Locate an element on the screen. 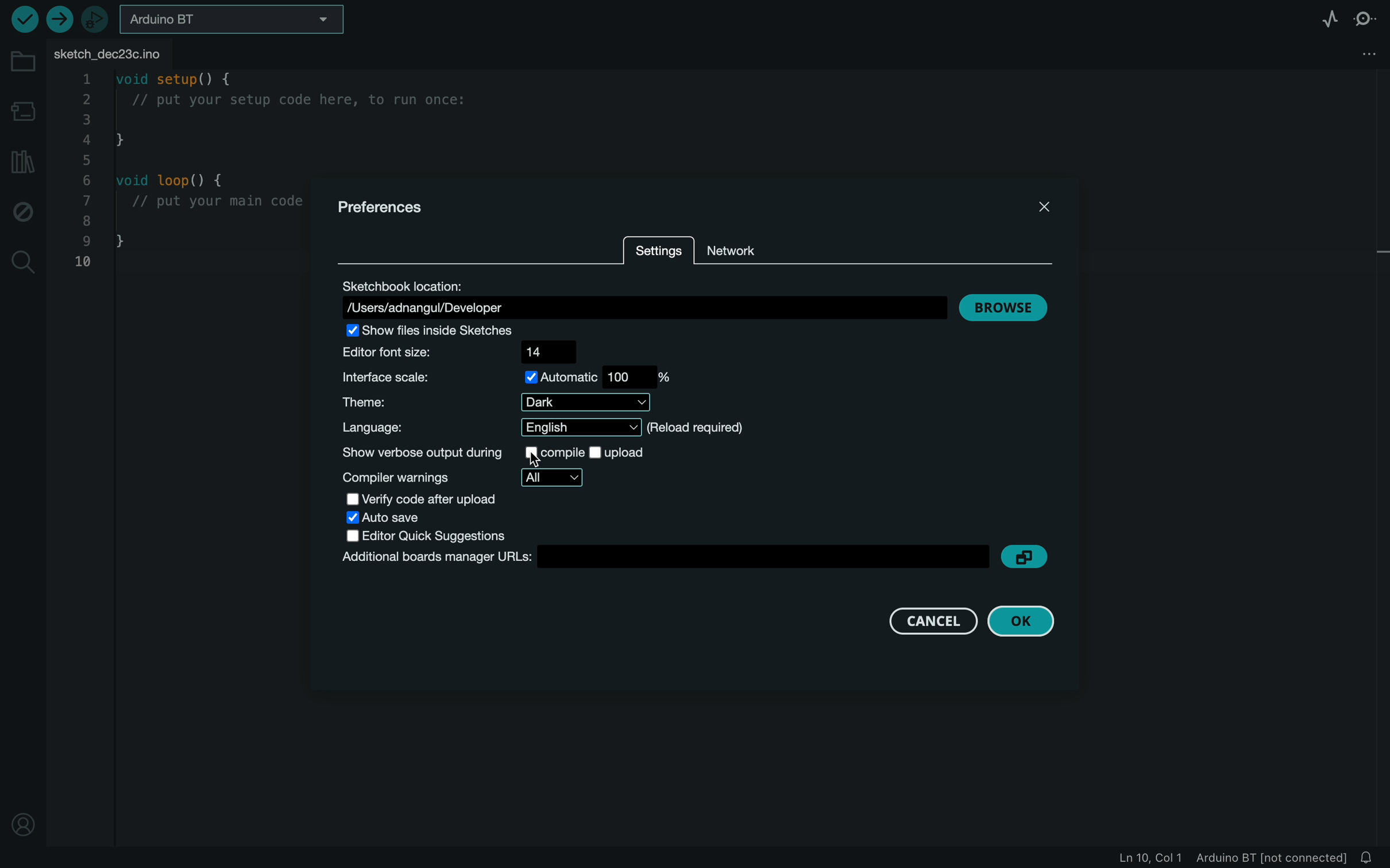 The width and height of the screenshot is (1390, 868). debug is located at coordinates (24, 214).